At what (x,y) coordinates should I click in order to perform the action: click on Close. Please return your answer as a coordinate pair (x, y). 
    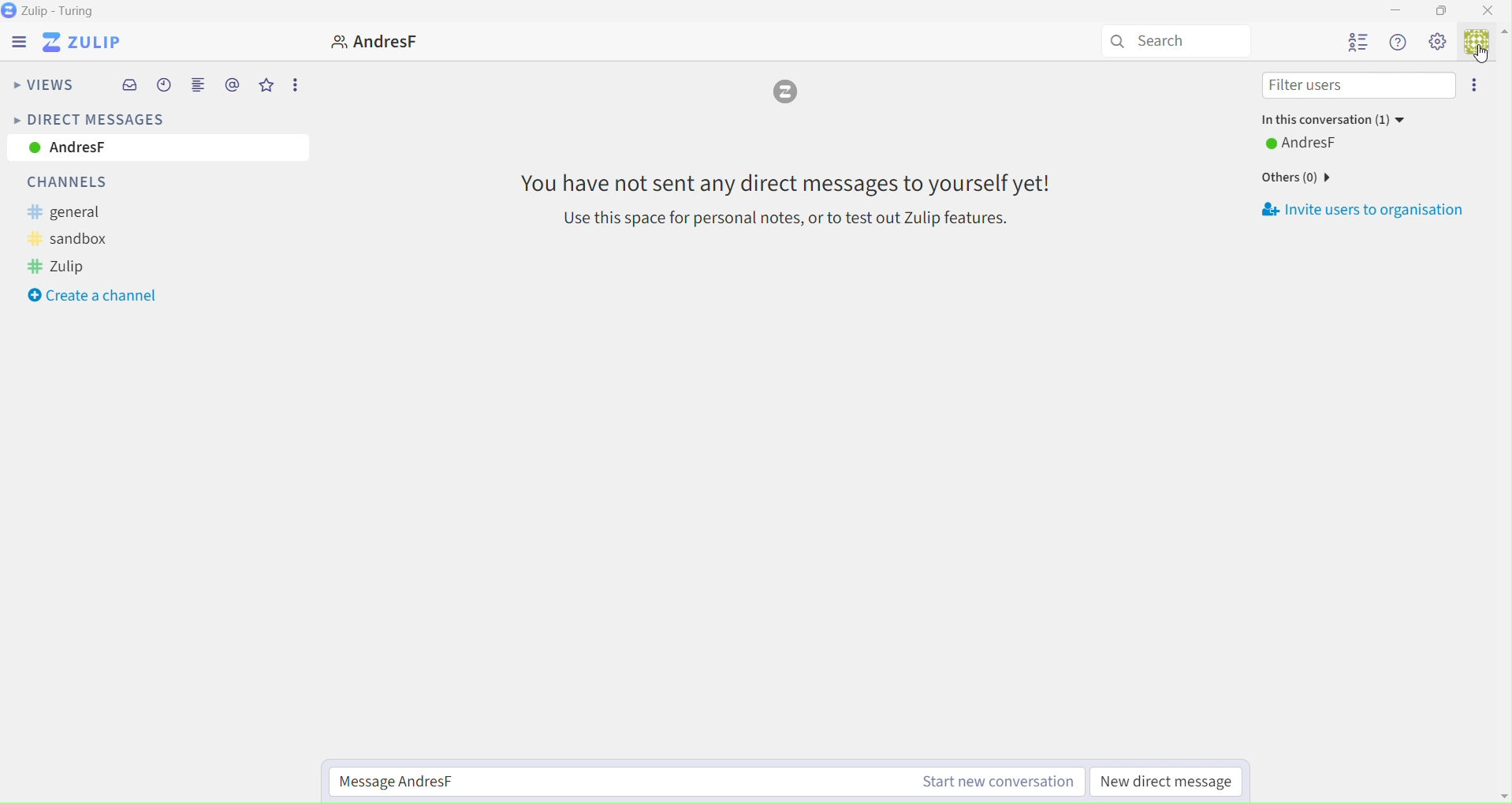
    Looking at the image, I should click on (1493, 11).